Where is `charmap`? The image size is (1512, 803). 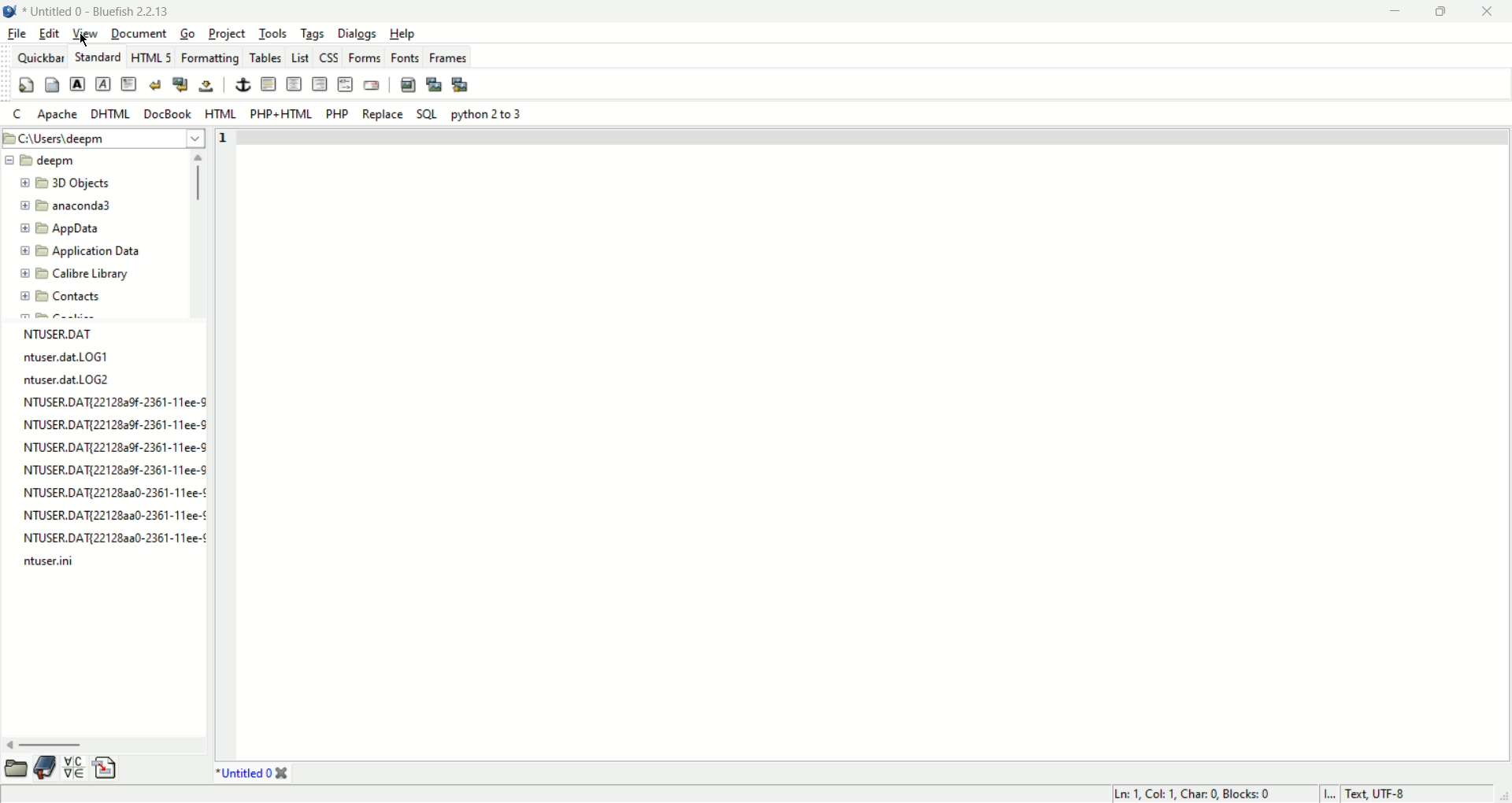
charmap is located at coordinates (73, 770).